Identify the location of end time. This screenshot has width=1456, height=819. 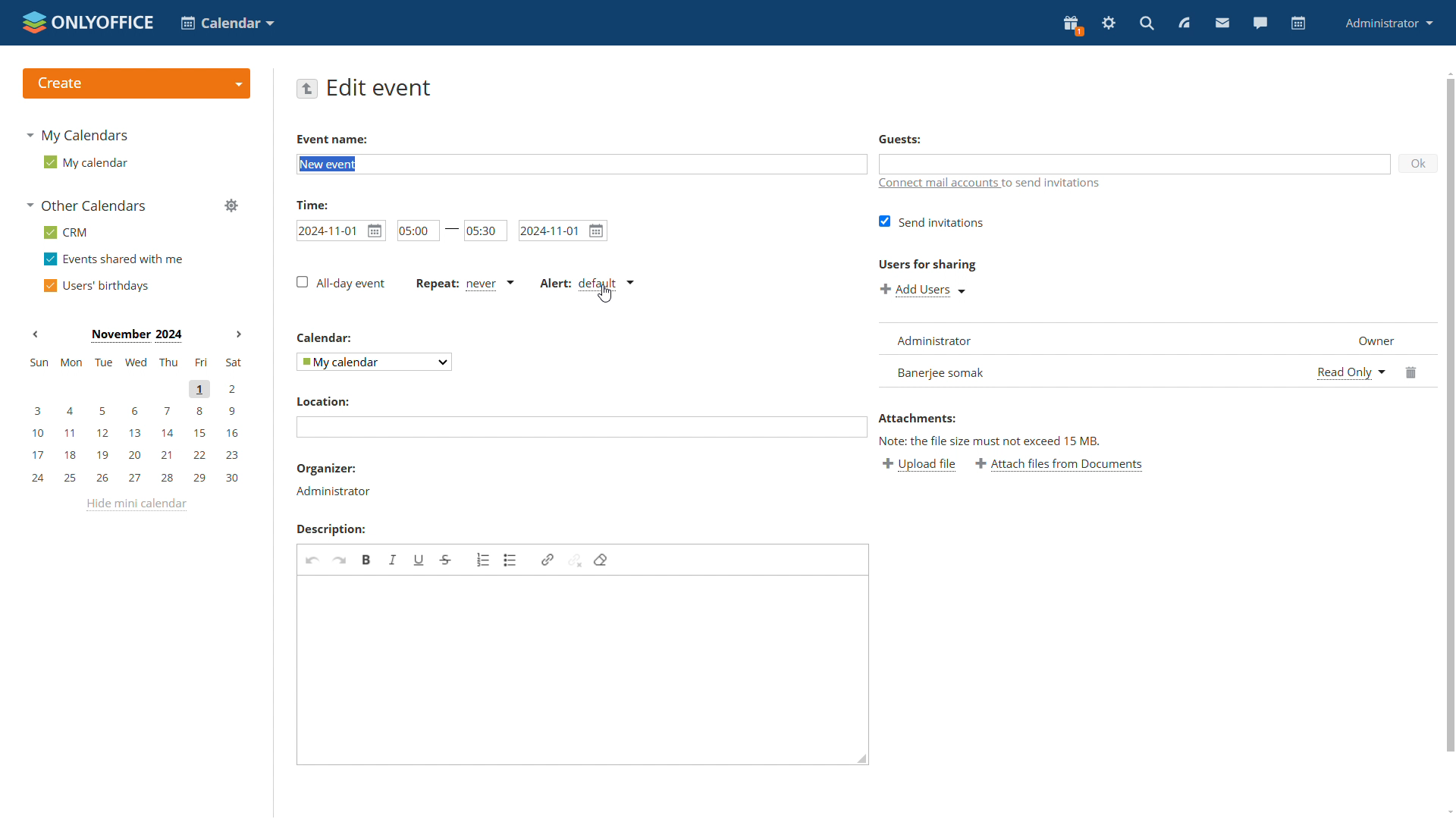
(487, 230).